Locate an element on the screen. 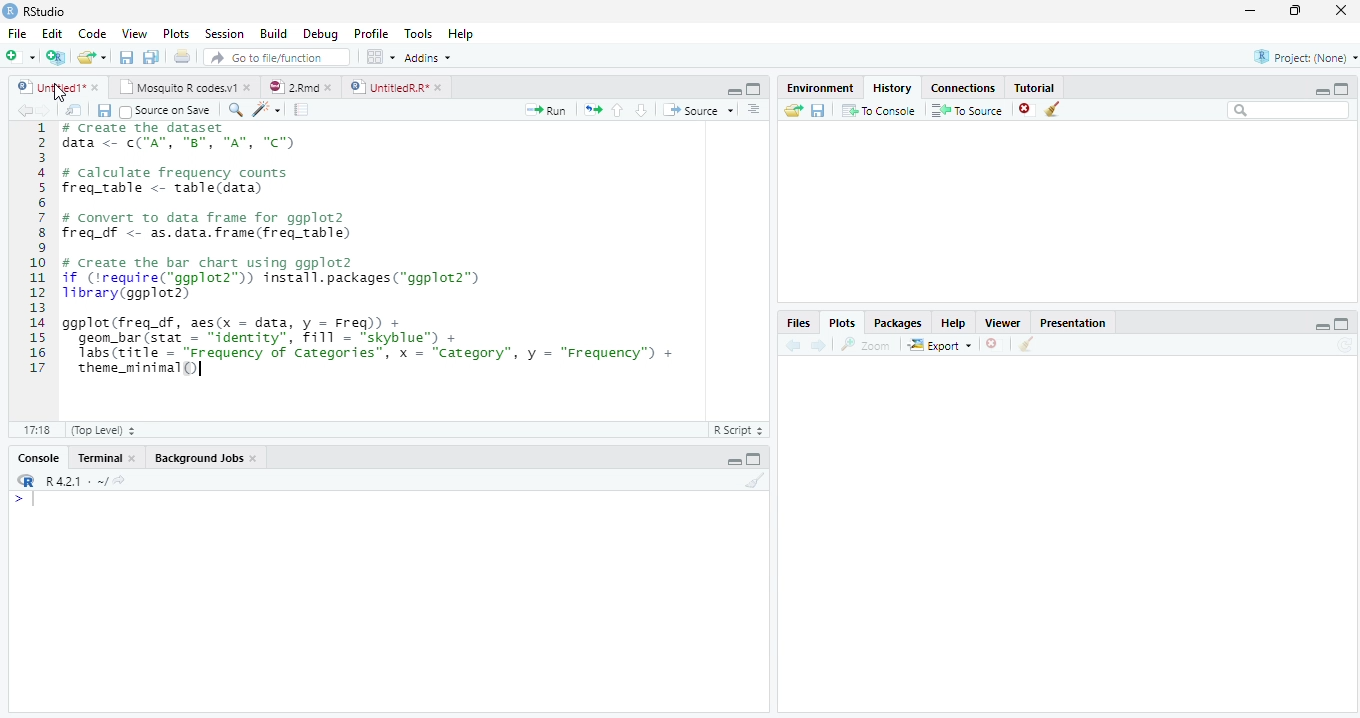  Delete  is located at coordinates (1027, 110).